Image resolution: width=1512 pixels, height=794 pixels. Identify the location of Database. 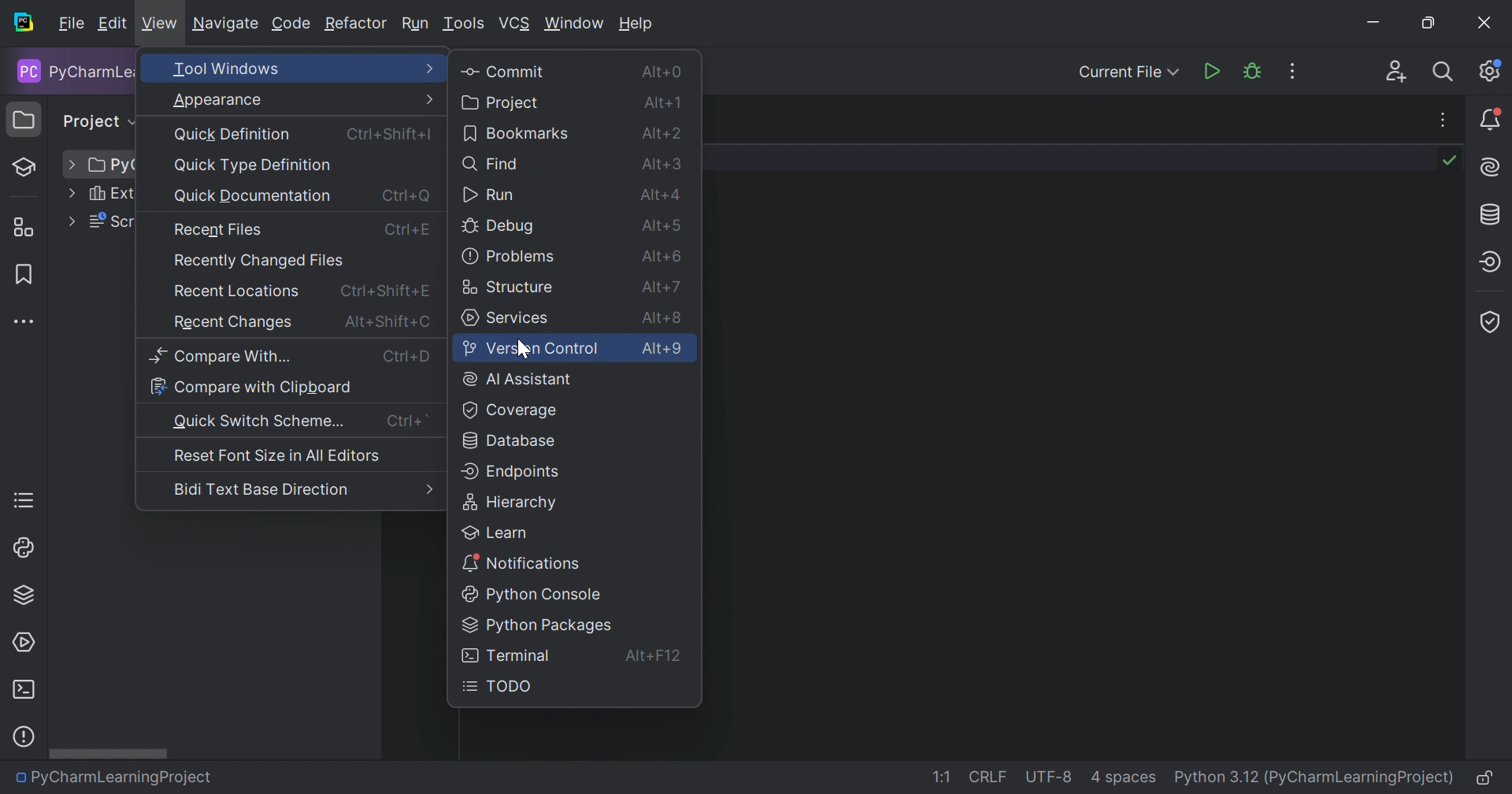
(1492, 213).